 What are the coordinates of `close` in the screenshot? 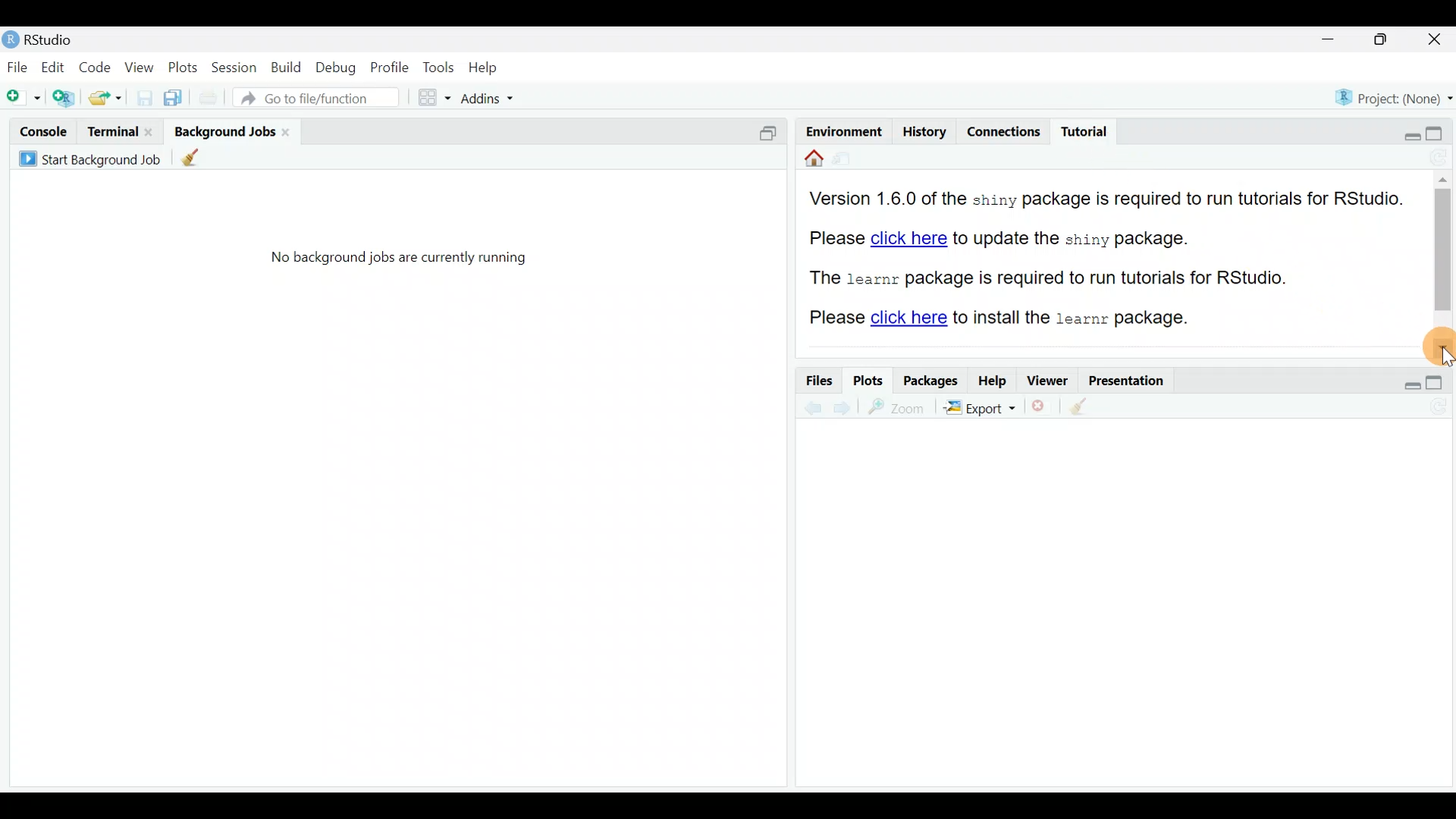 It's located at (288, 132).